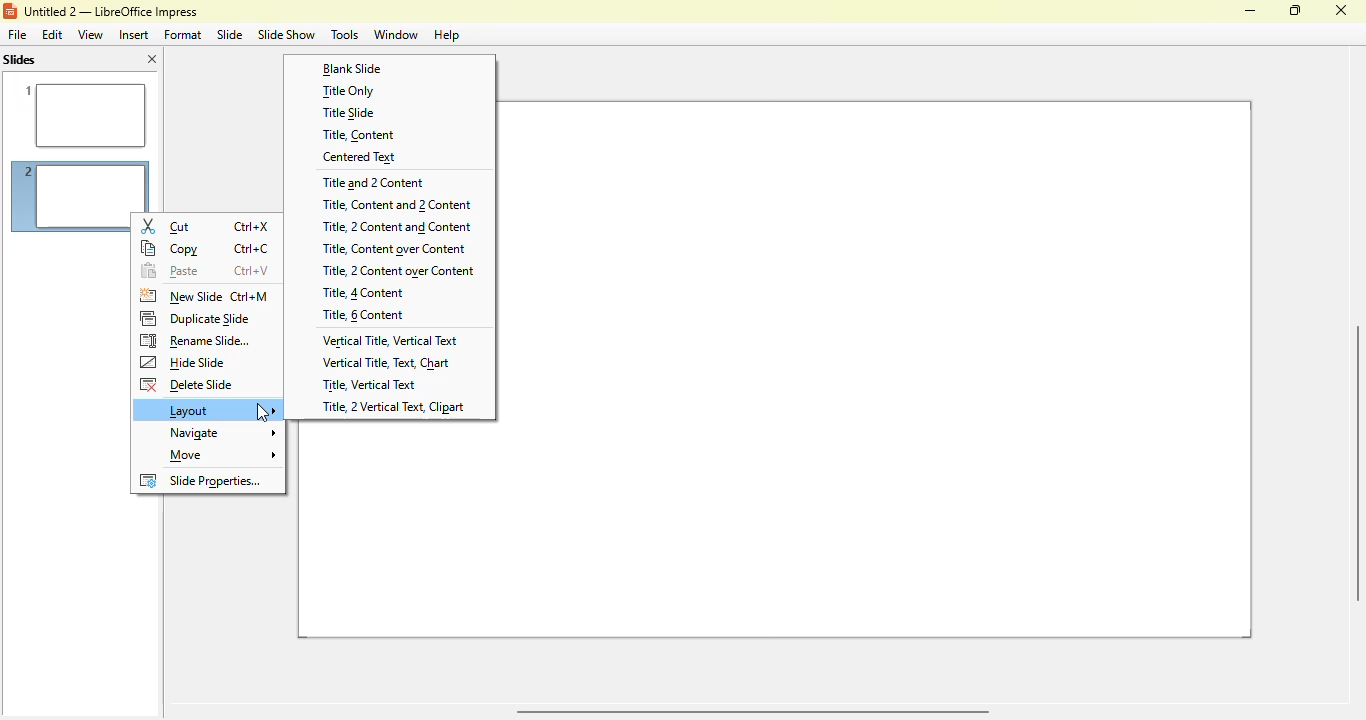  What do you see at coordinates (447, 35) in the screenshot?
I see `help` at bounding box center [447, 35].